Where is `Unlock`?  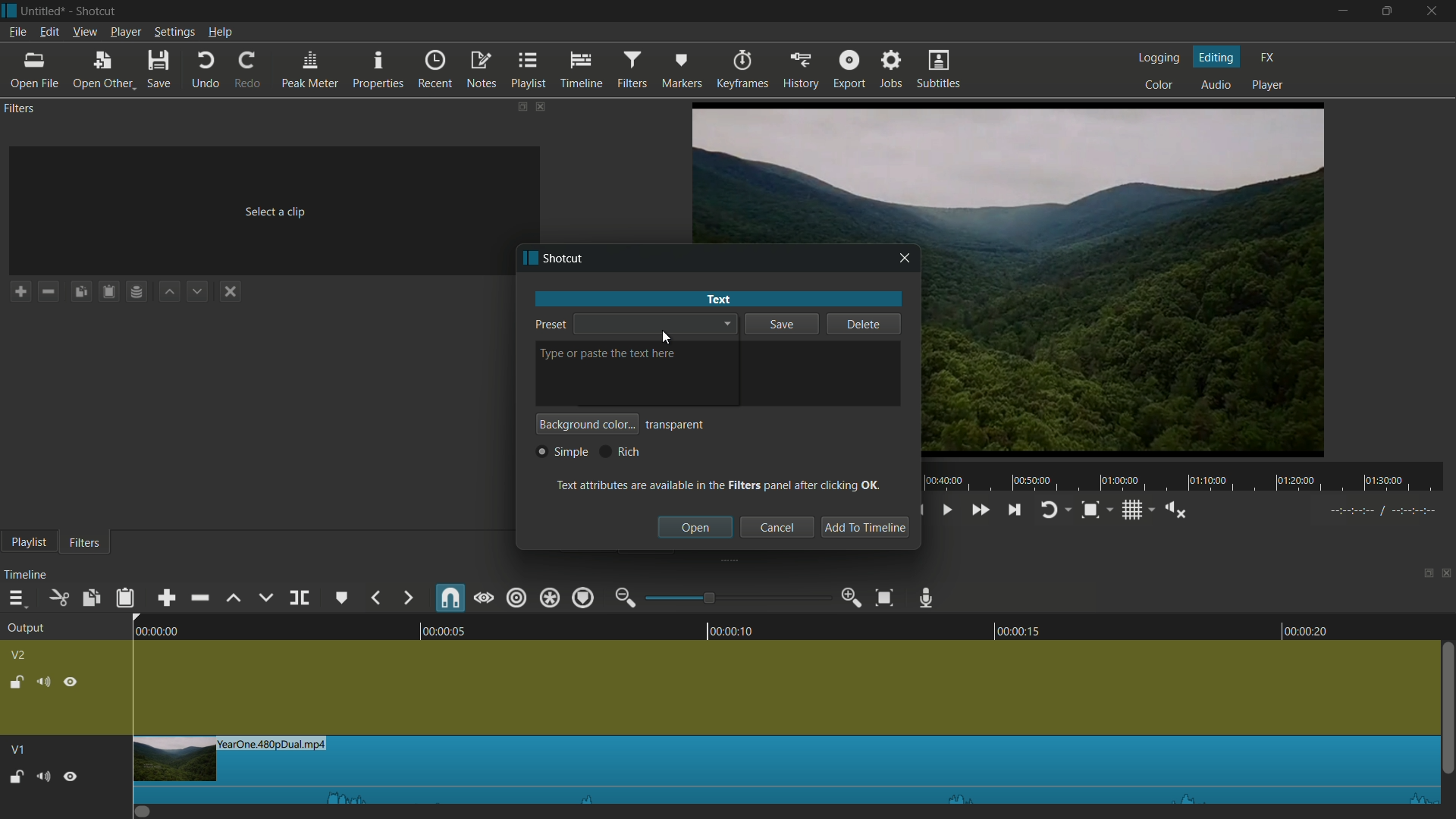
Unlock is located at coordinates (16, 777).